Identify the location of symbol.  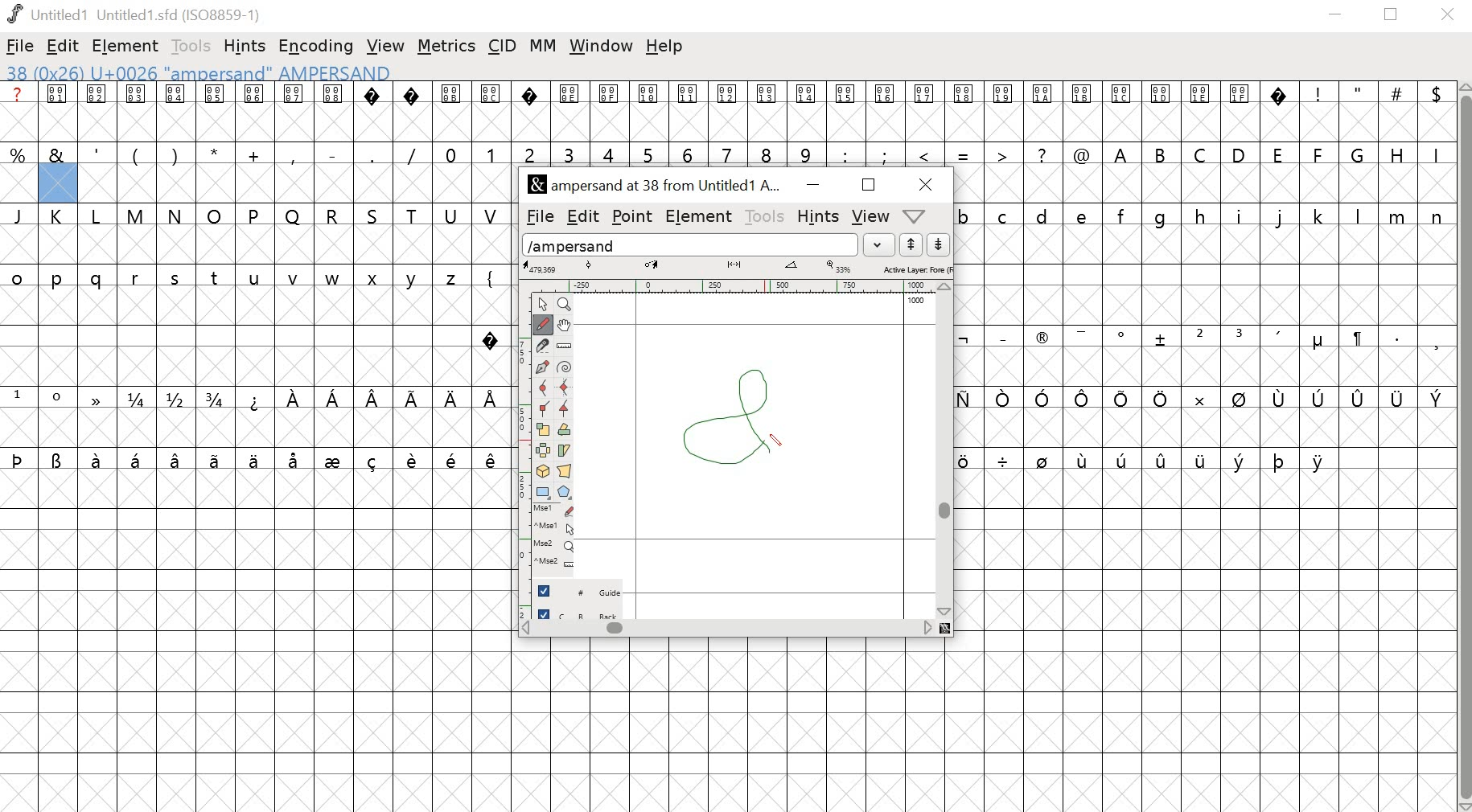
(414, 458).